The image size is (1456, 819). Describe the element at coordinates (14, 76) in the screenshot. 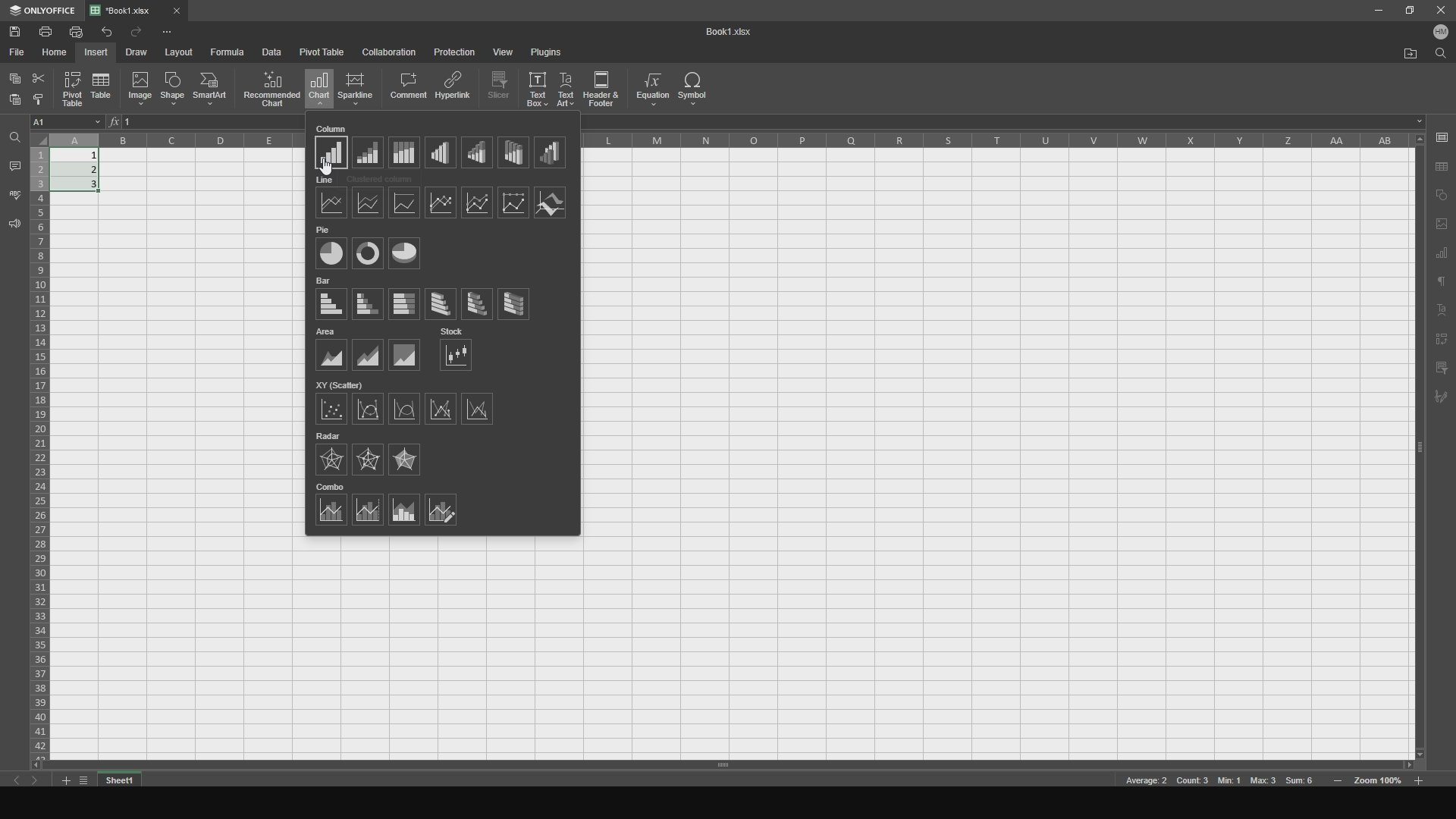

I see `copy` at that location.